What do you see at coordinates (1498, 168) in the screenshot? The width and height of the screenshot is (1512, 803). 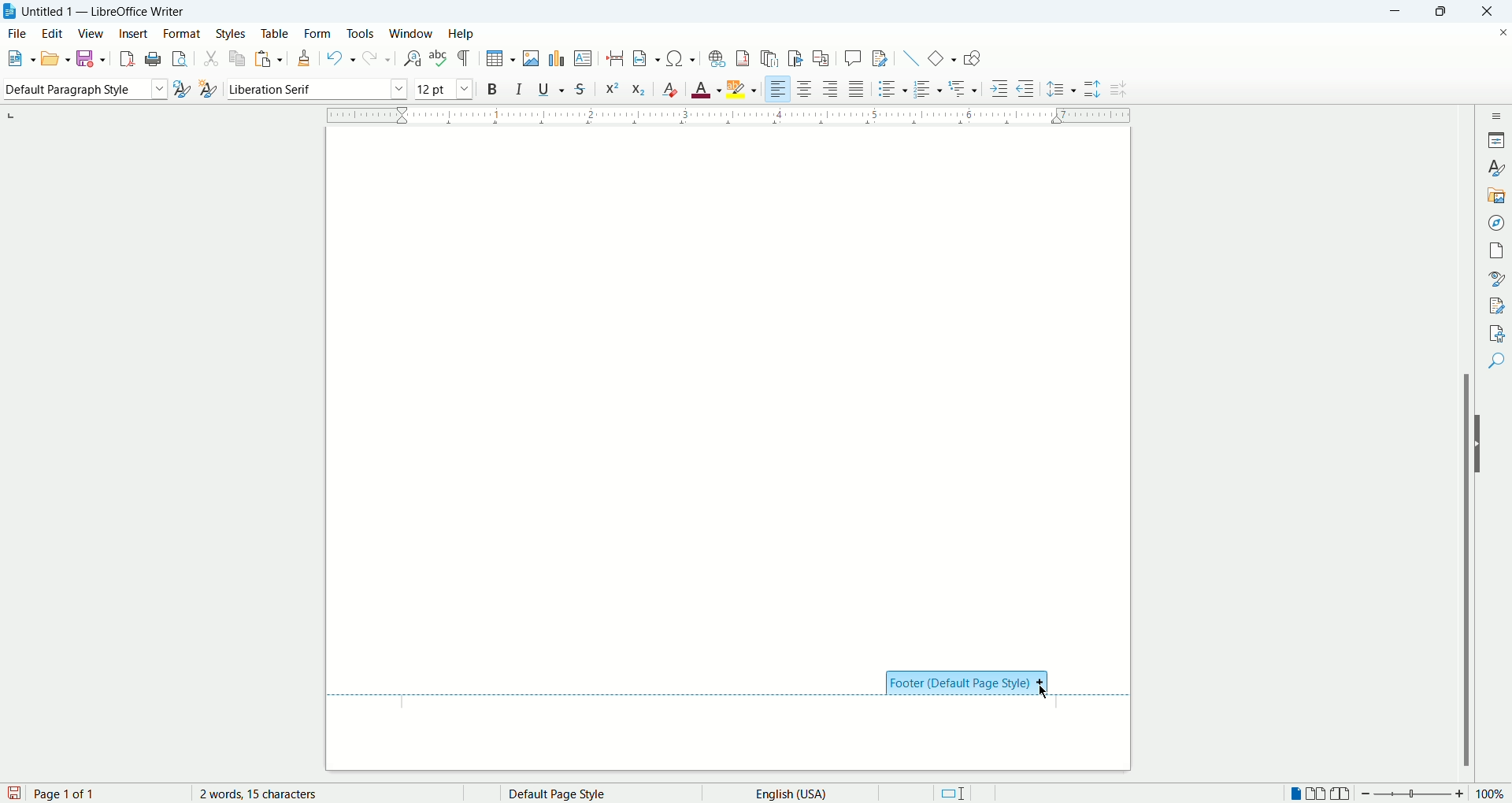 I see `styles` at bounding box center [1498, 168].